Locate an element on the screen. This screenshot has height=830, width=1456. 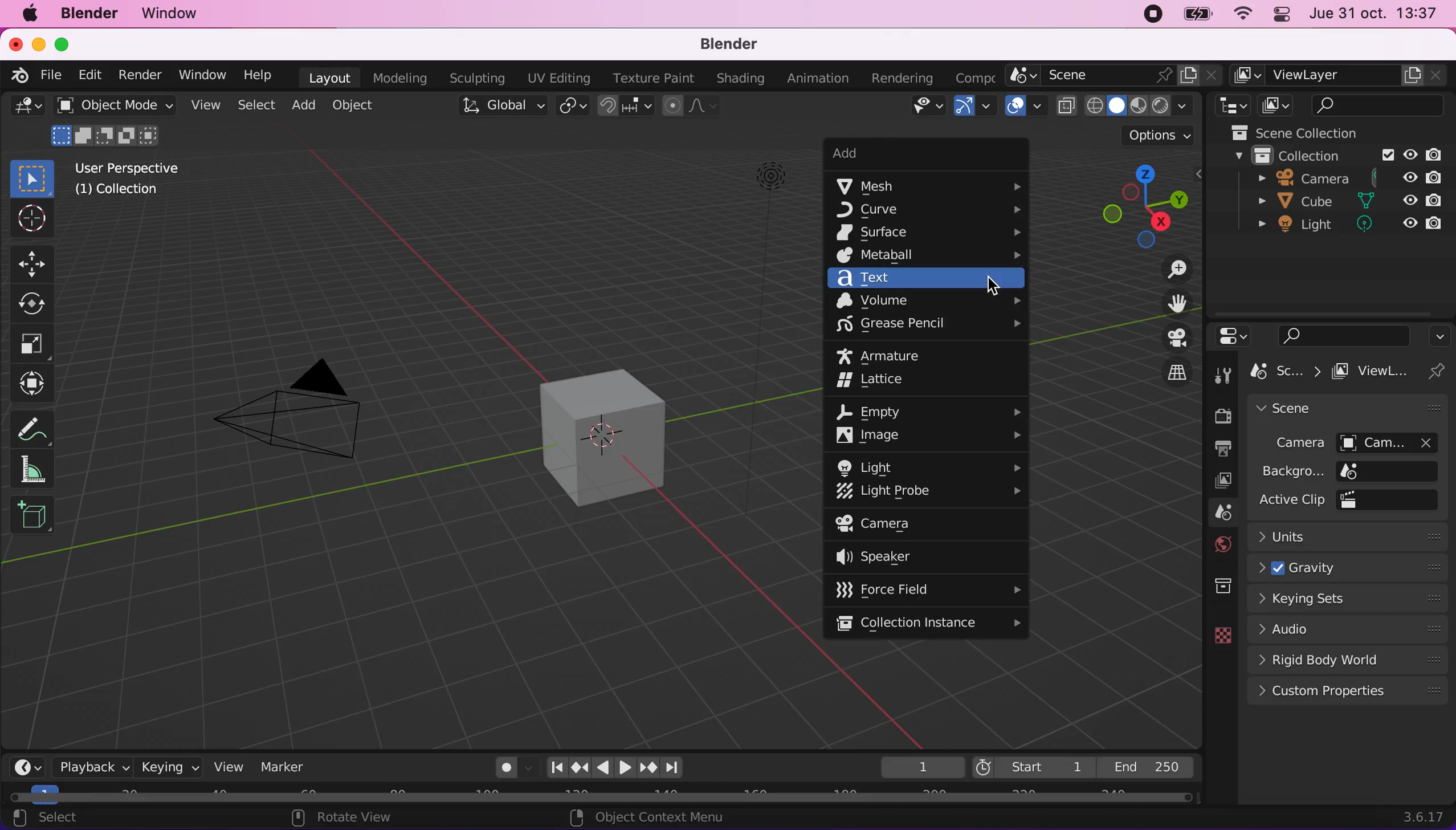
editor type is located at coordinates (1233, 335).